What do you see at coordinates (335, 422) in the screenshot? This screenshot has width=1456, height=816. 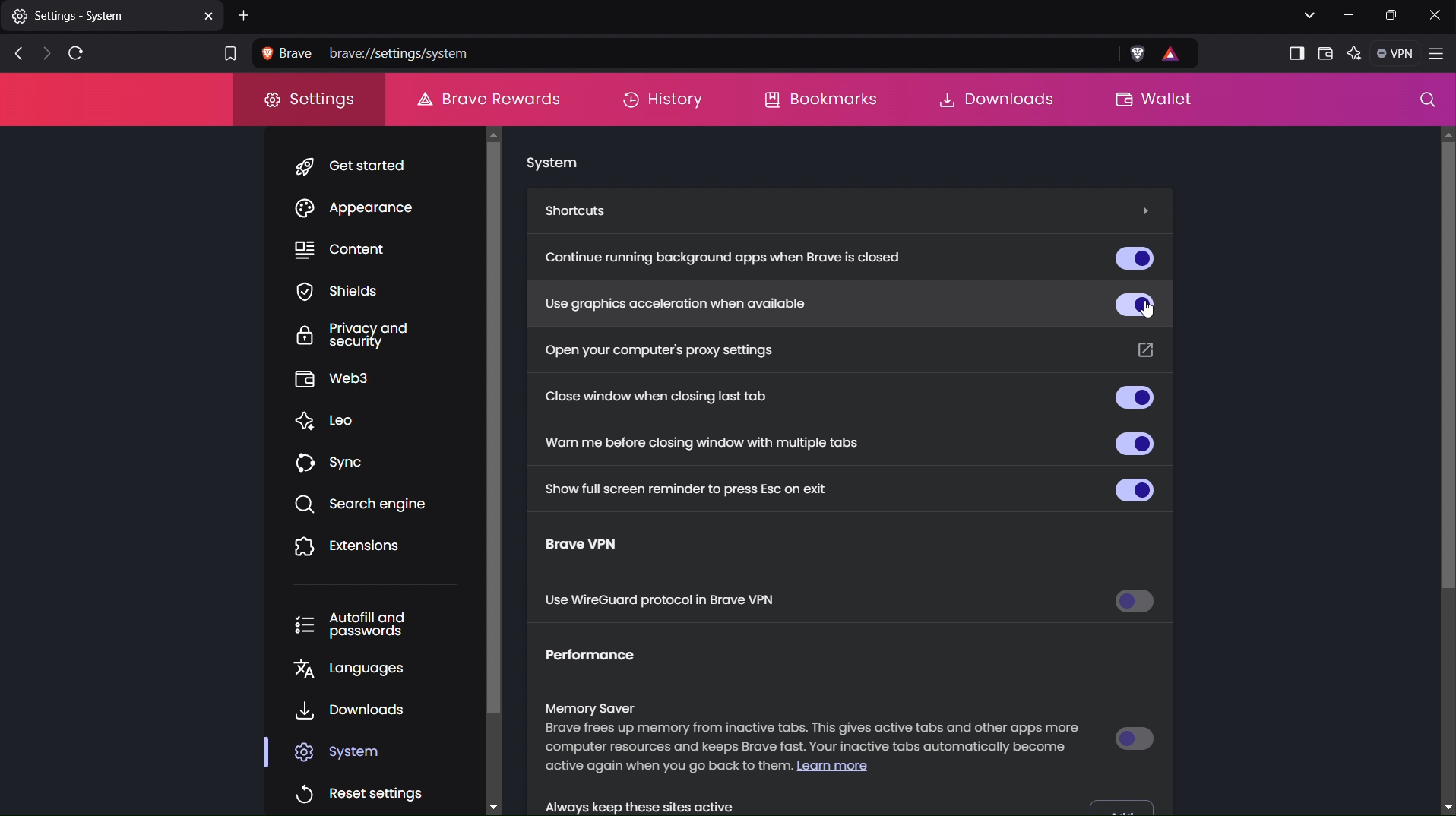 I see `Leo` at bounding box center [335, 422].